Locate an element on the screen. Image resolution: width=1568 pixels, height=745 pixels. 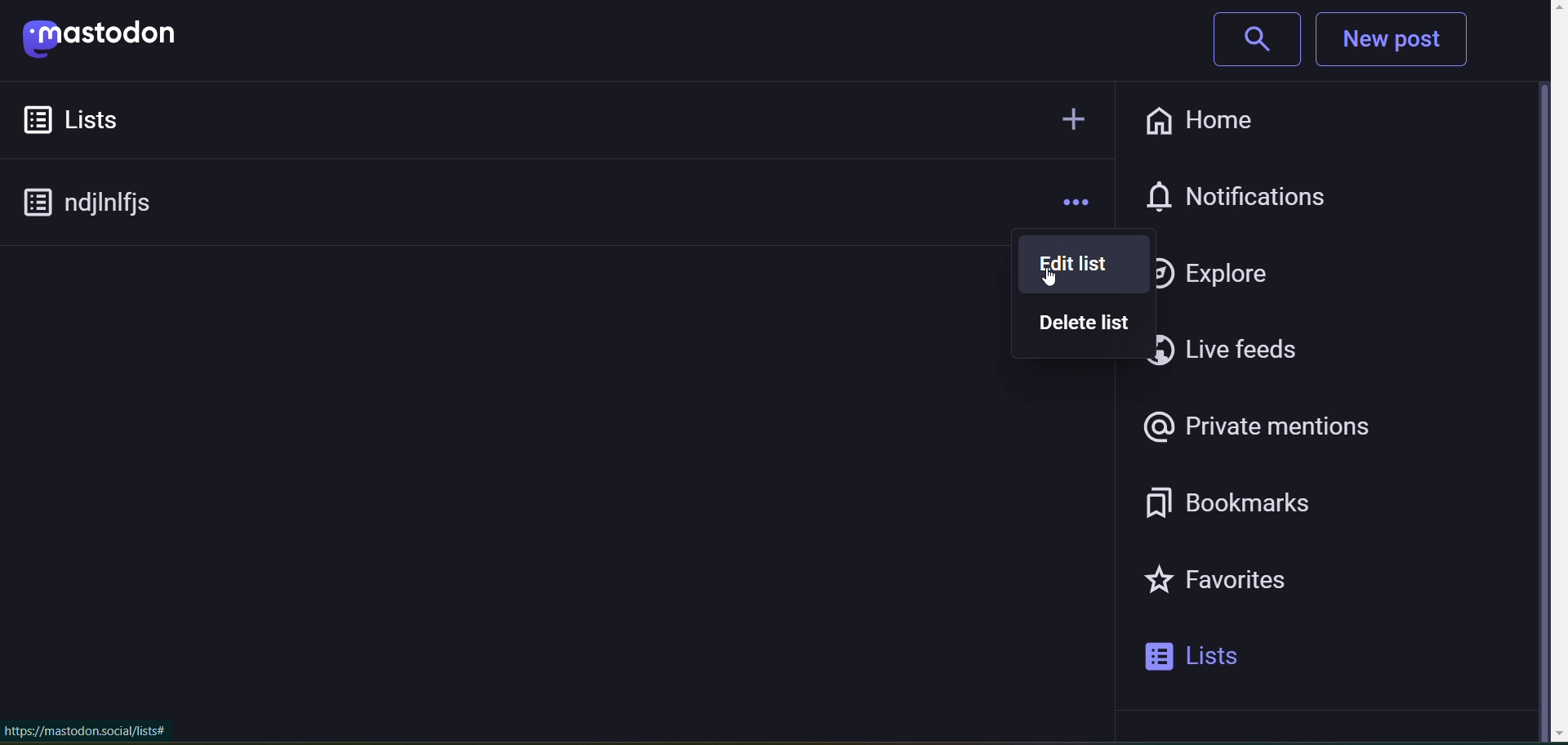
more is located at coordinates (1074, 202).